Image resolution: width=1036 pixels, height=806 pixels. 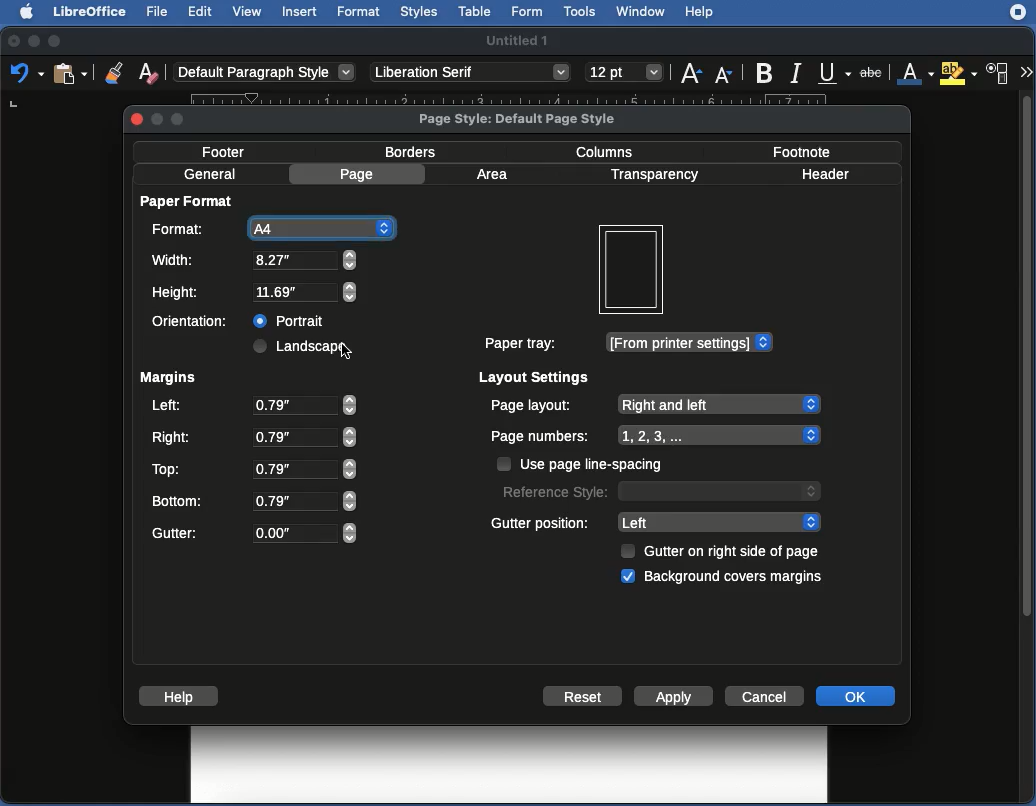 What do you see at coordinates (914, 70) in the screenshot?
I see `Font color` at bounding box center [914, 70].